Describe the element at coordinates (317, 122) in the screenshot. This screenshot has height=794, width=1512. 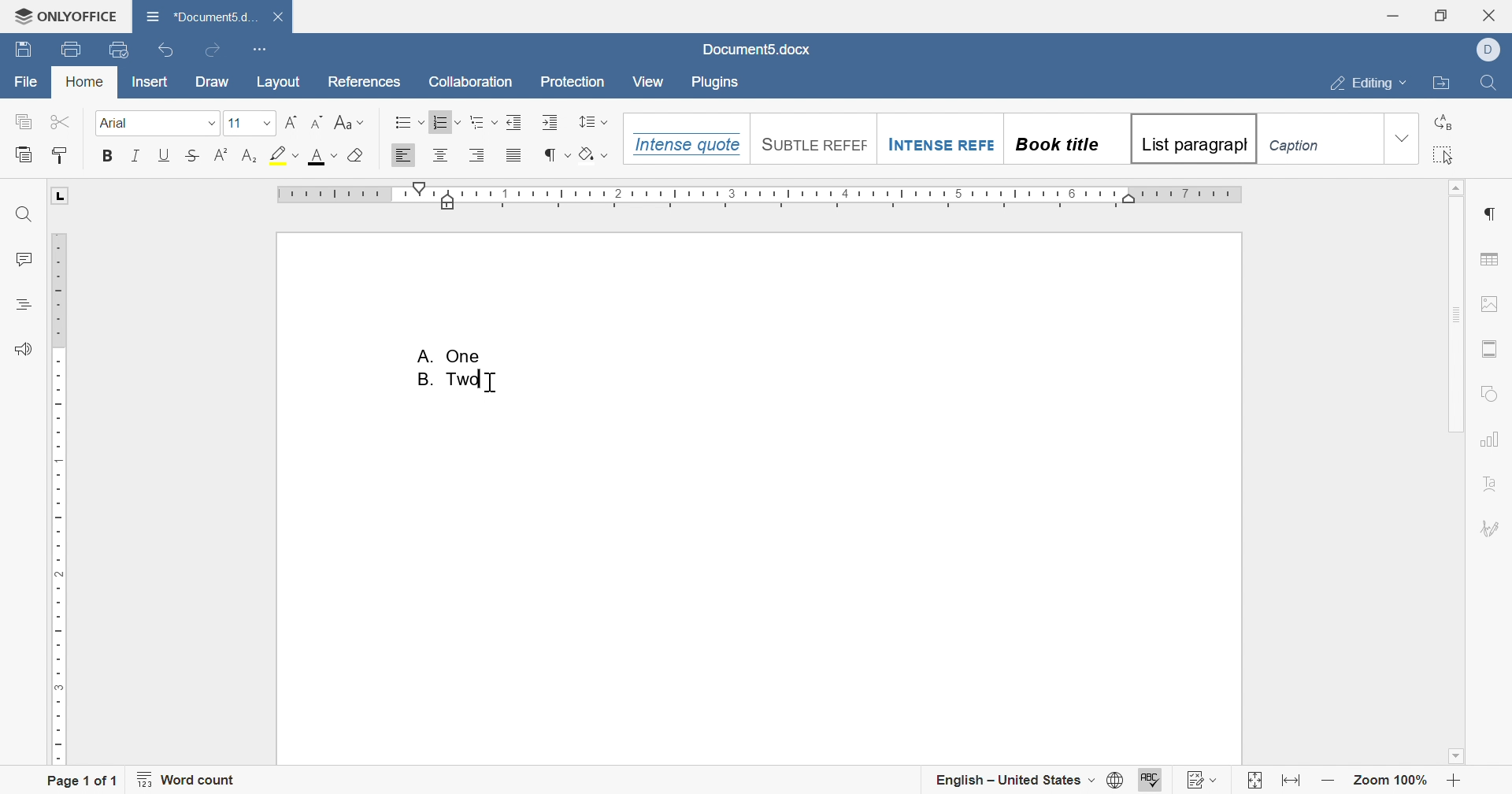
I see `Decrement font size` at that location.